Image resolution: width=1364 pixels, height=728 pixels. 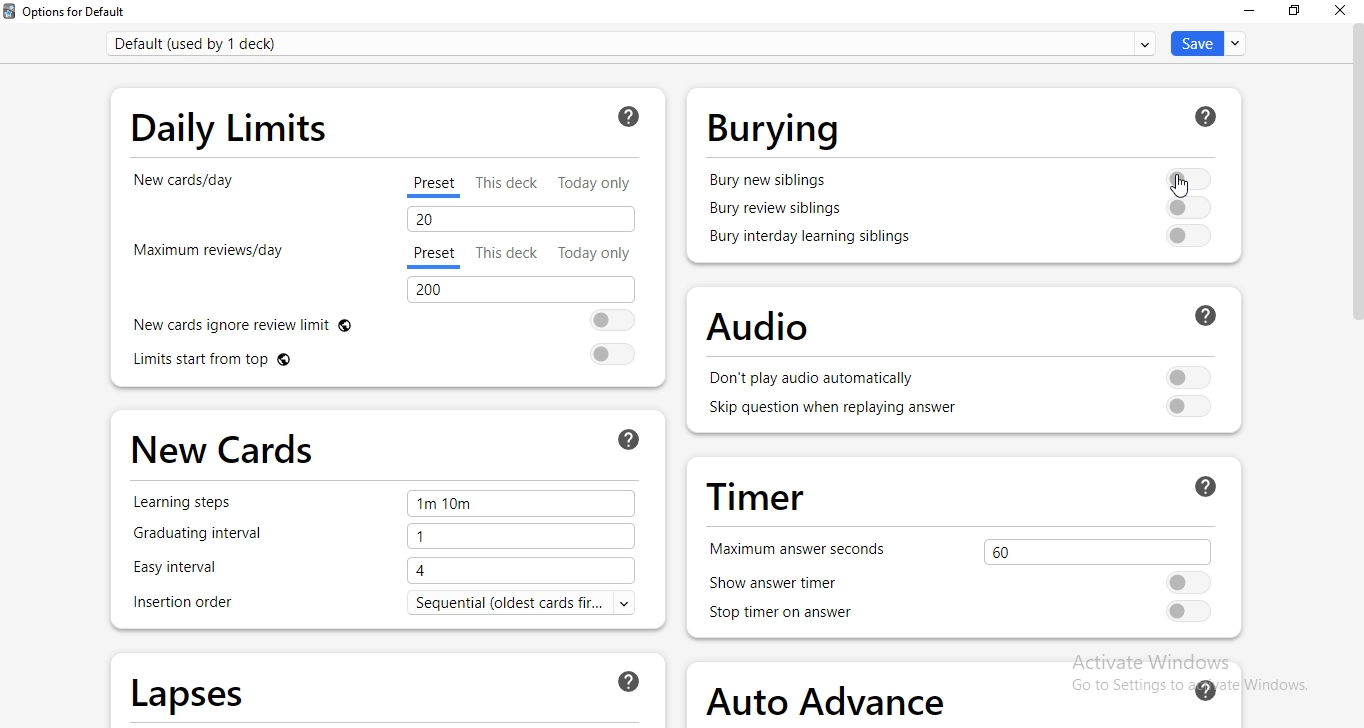 What do you see at coordinates (1204, 687) in the screenshot?
I see `ask` at bounding box center [1204, 687].